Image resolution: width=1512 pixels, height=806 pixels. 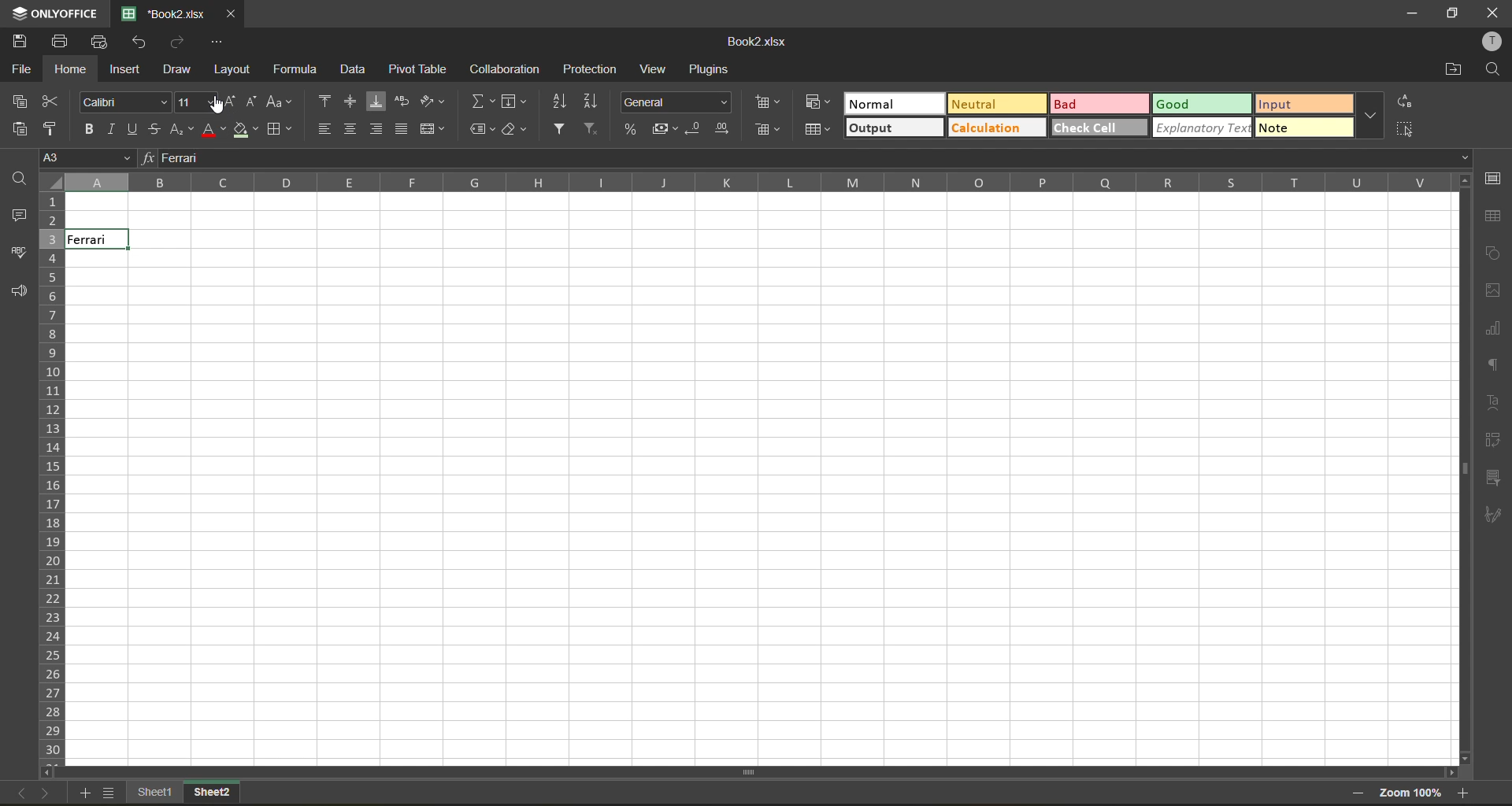 I want to click on customize quick access toolbar, so click(x=215, y=44).